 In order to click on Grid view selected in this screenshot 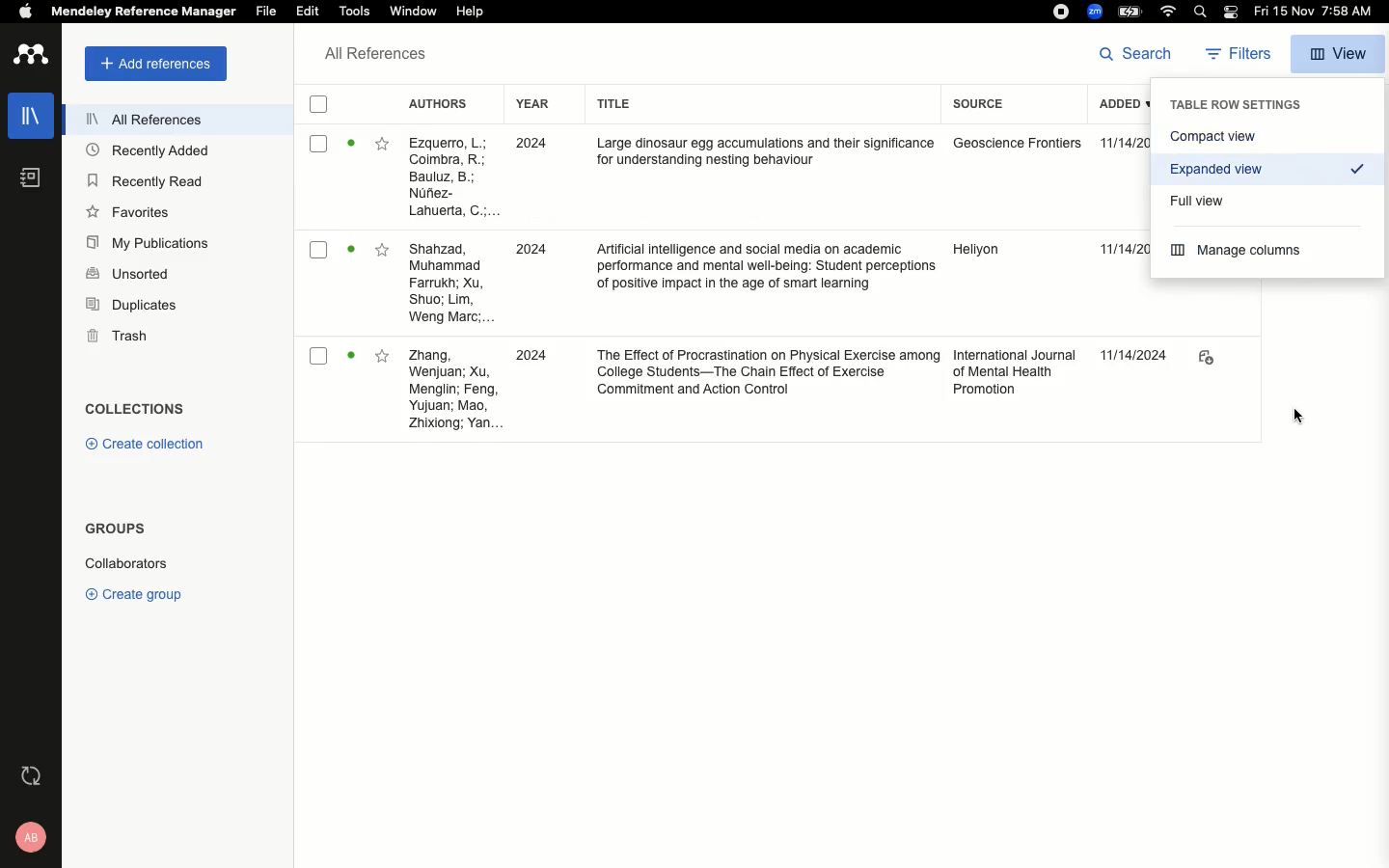, I will do `click(1278, 175)`.